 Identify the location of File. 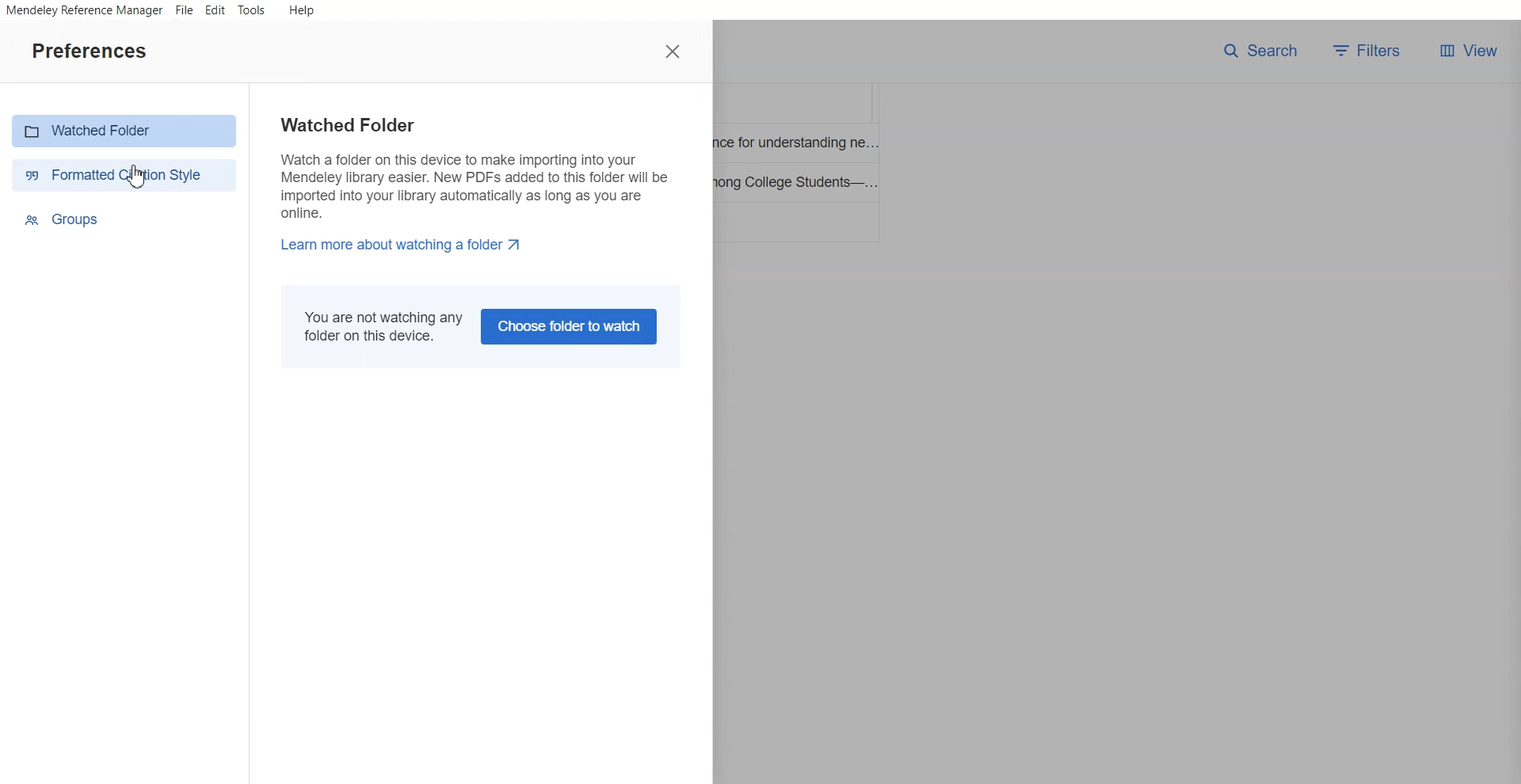
(185, 10).